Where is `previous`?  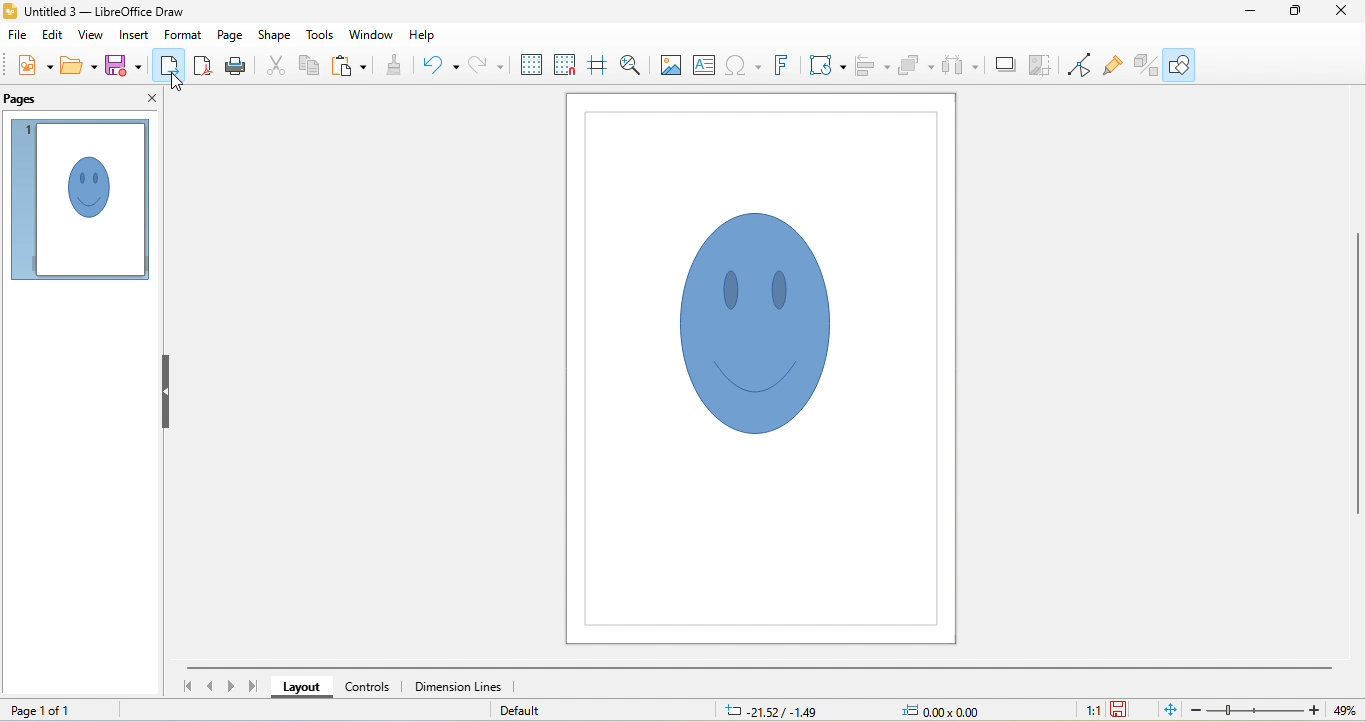 previous is located at coordinates (210, 687).